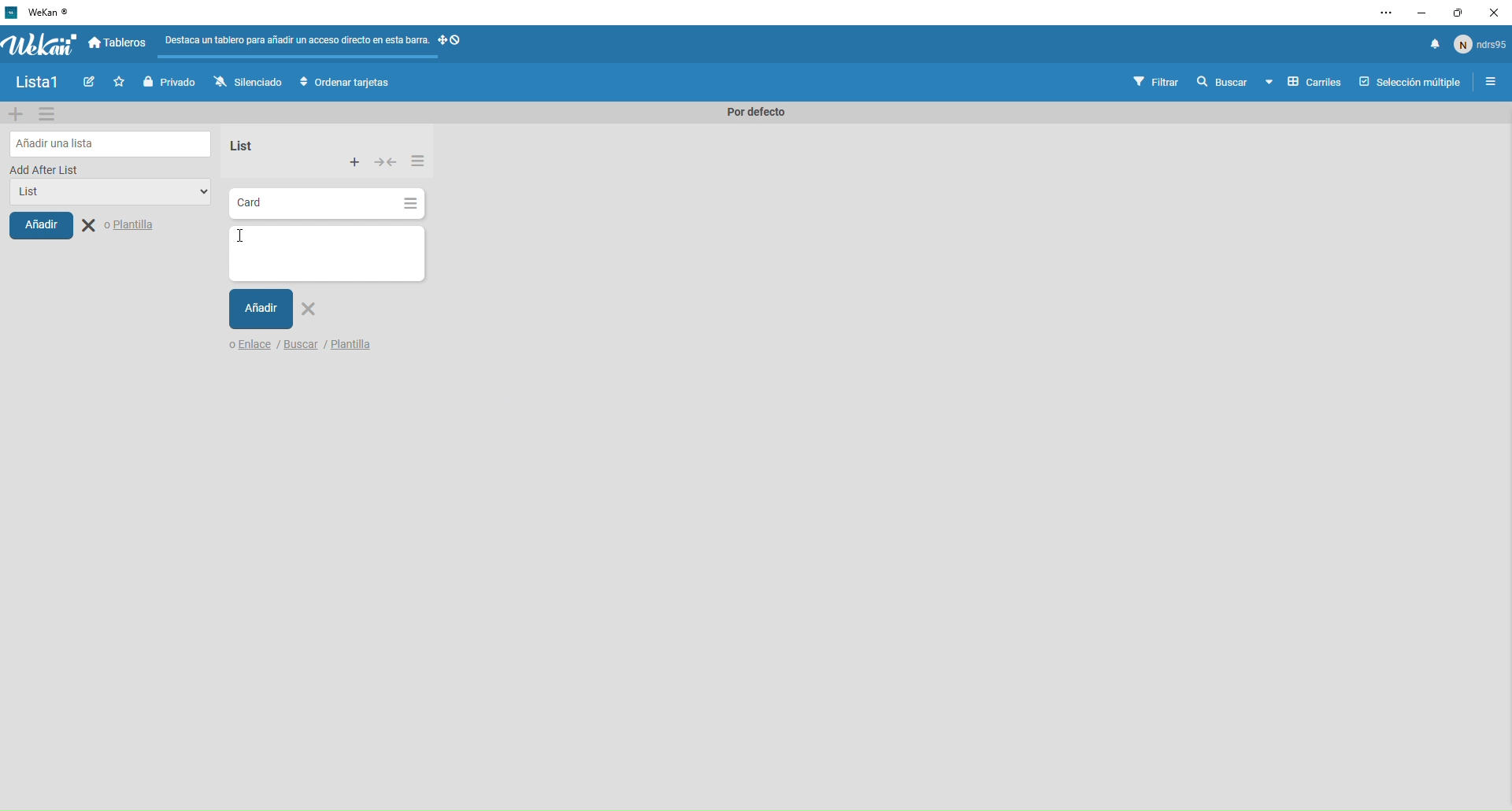 This screenshot has width=1512, height=811. I want to click on List, so click(239, 146).